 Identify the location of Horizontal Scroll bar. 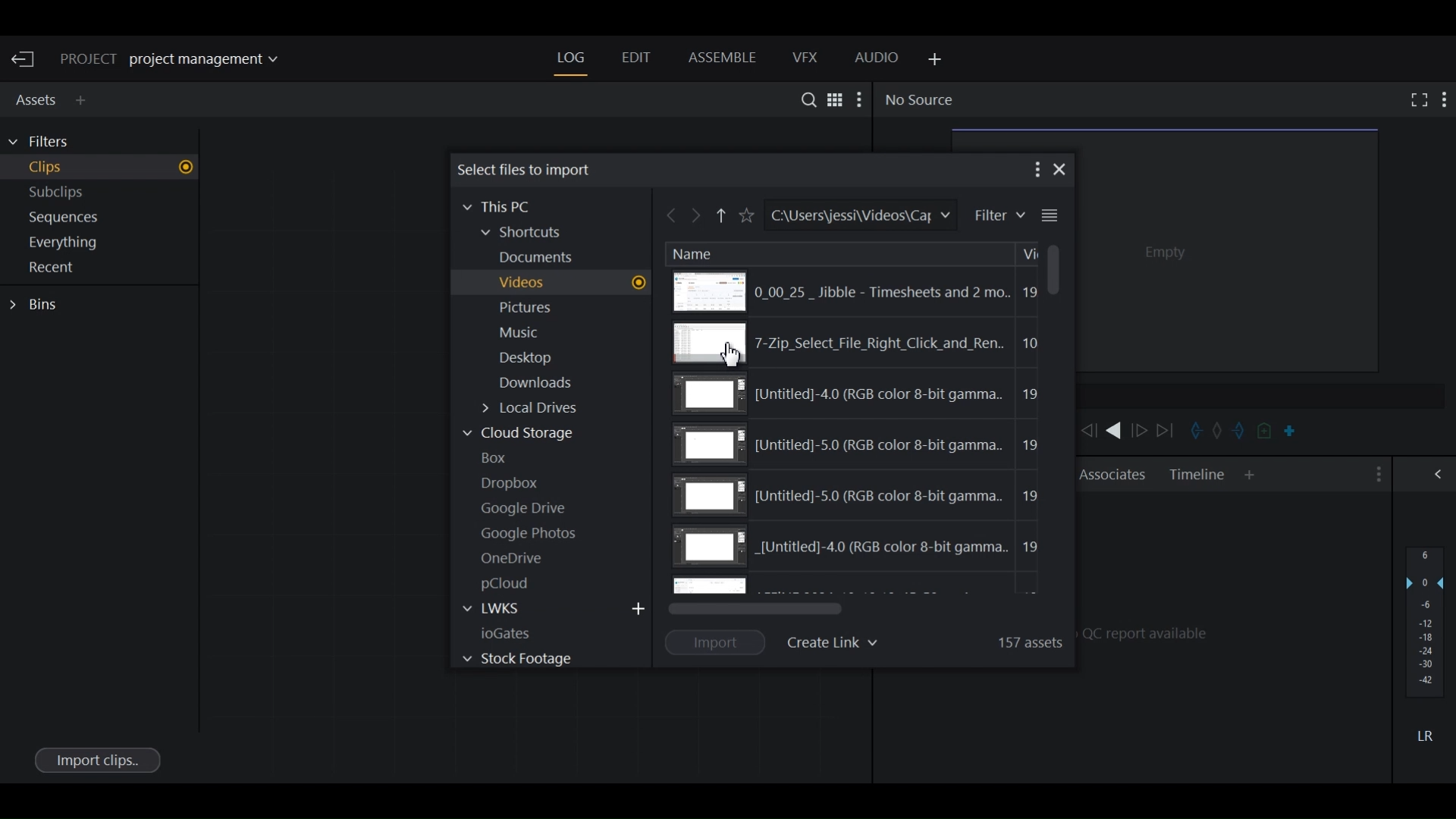
(757, 608).